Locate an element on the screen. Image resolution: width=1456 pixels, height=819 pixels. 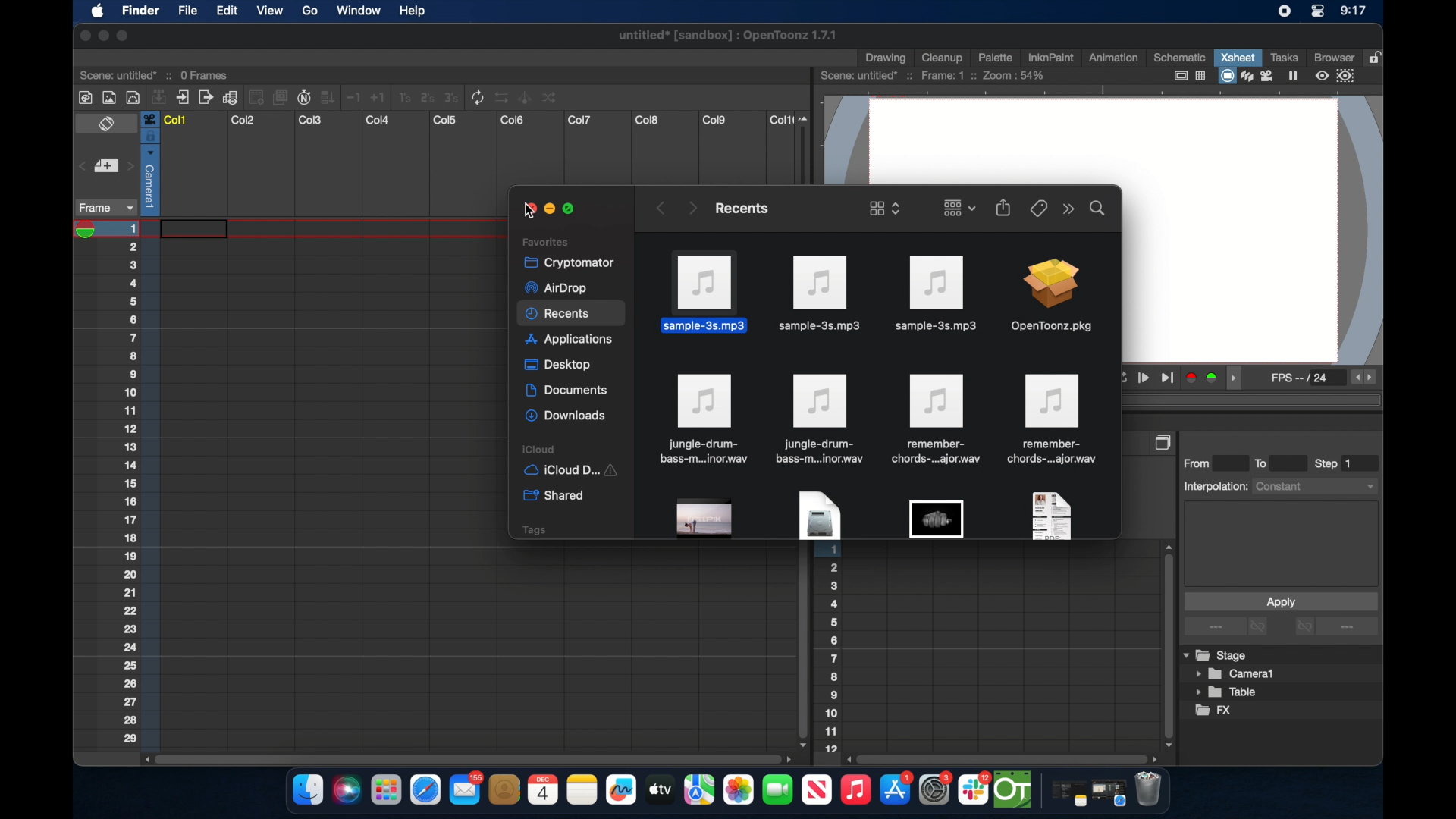
column selected is located at coordinates (149, 163).